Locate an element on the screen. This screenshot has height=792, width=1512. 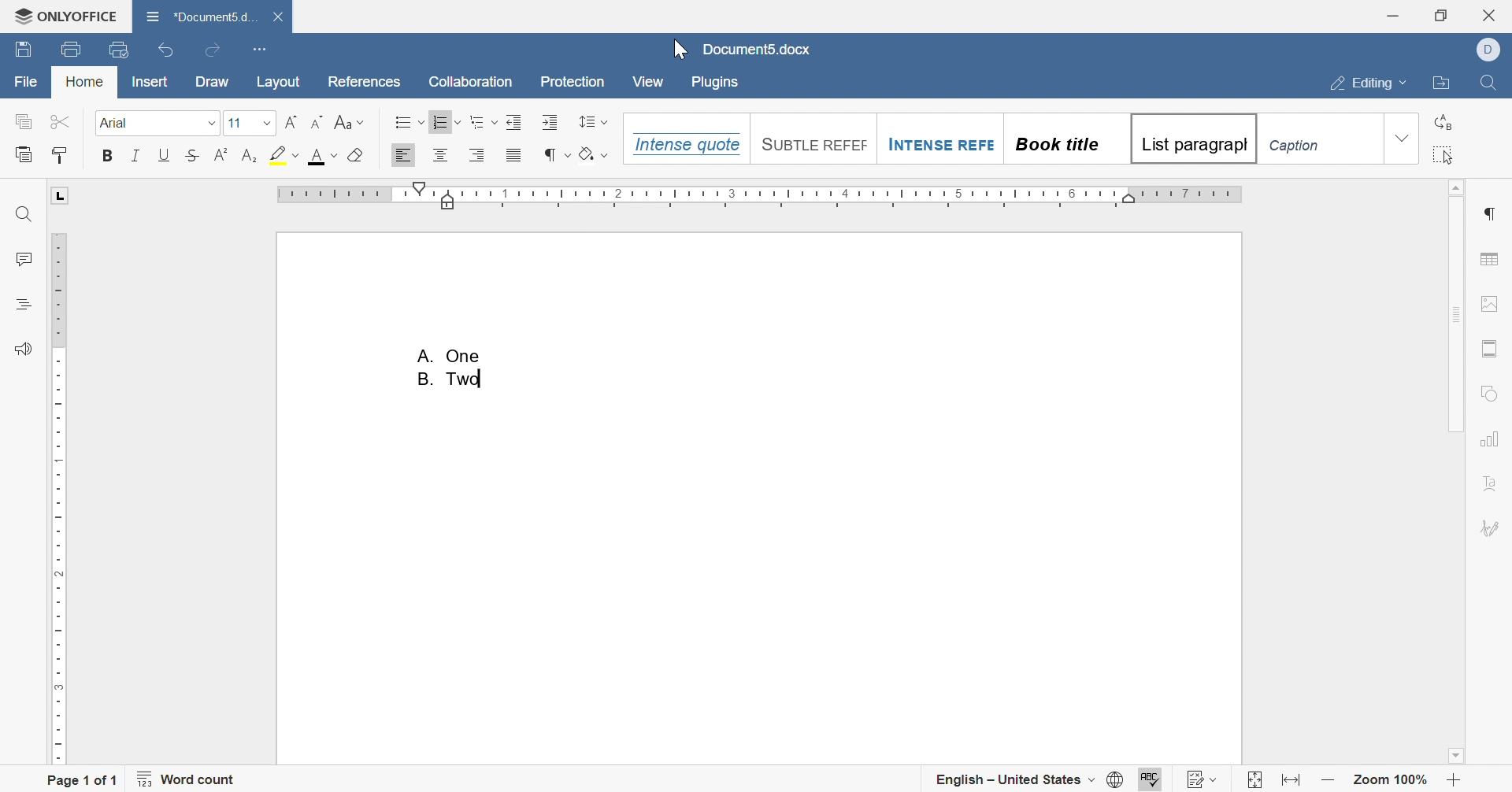
Heading styles is located at coordinates (1005, 139).